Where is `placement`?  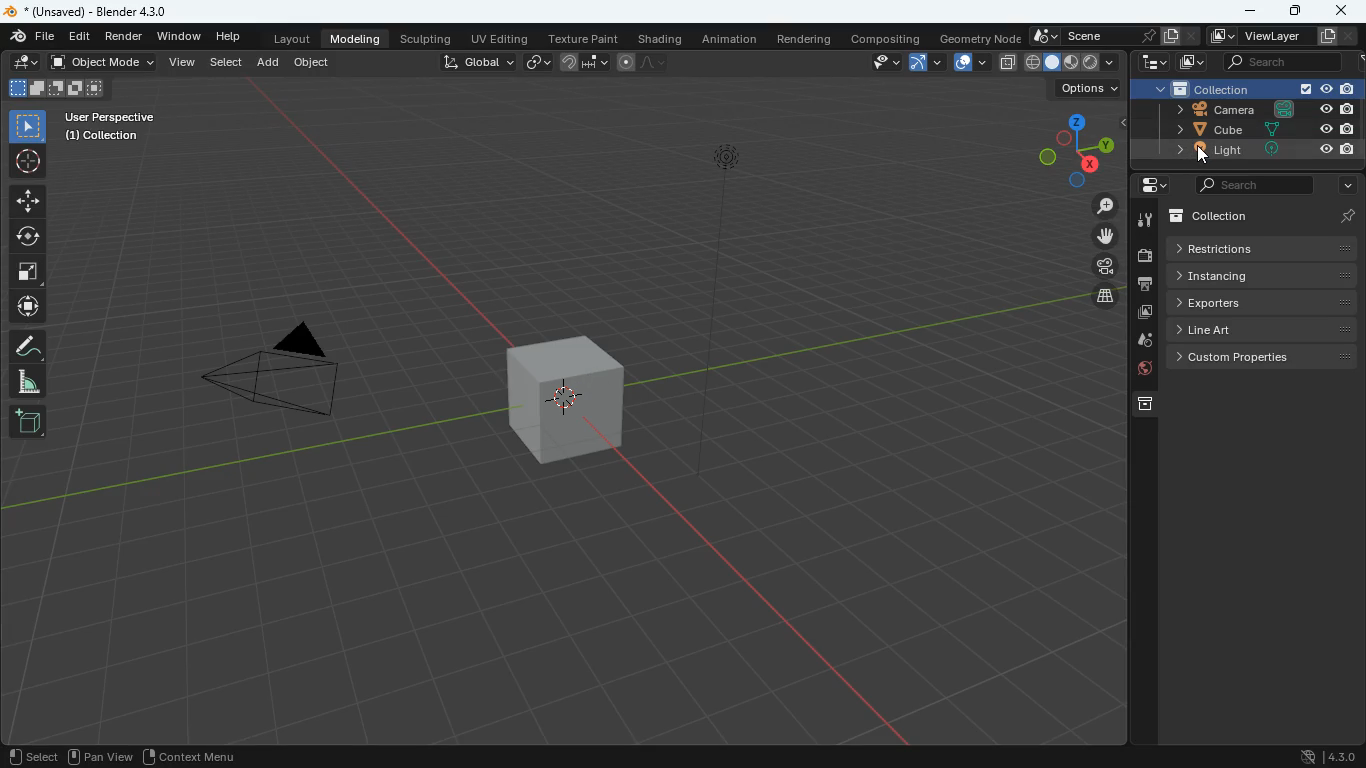
placement is located at coordinates (26, 63).